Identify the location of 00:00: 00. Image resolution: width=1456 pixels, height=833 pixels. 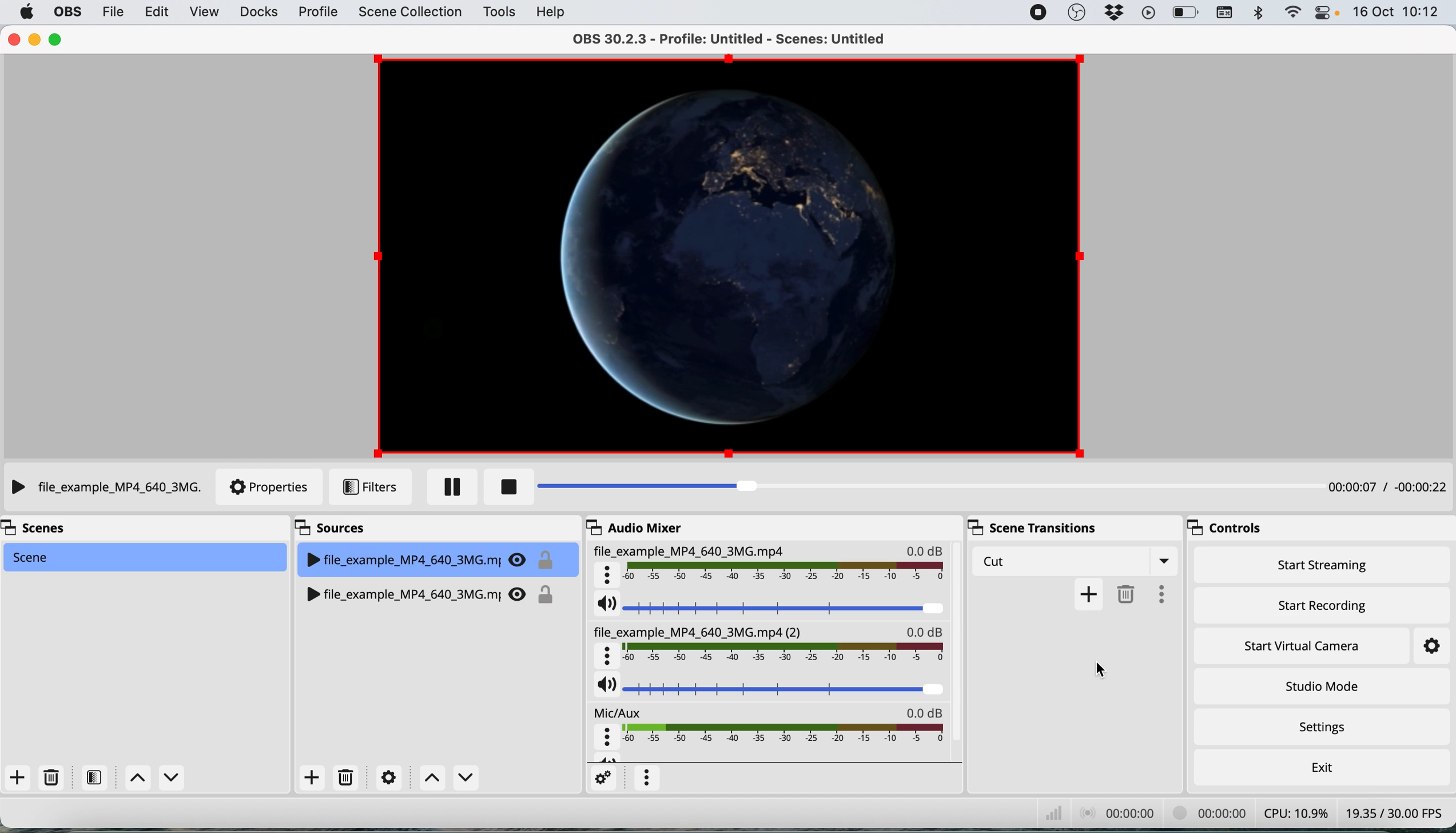
(1118, 815).